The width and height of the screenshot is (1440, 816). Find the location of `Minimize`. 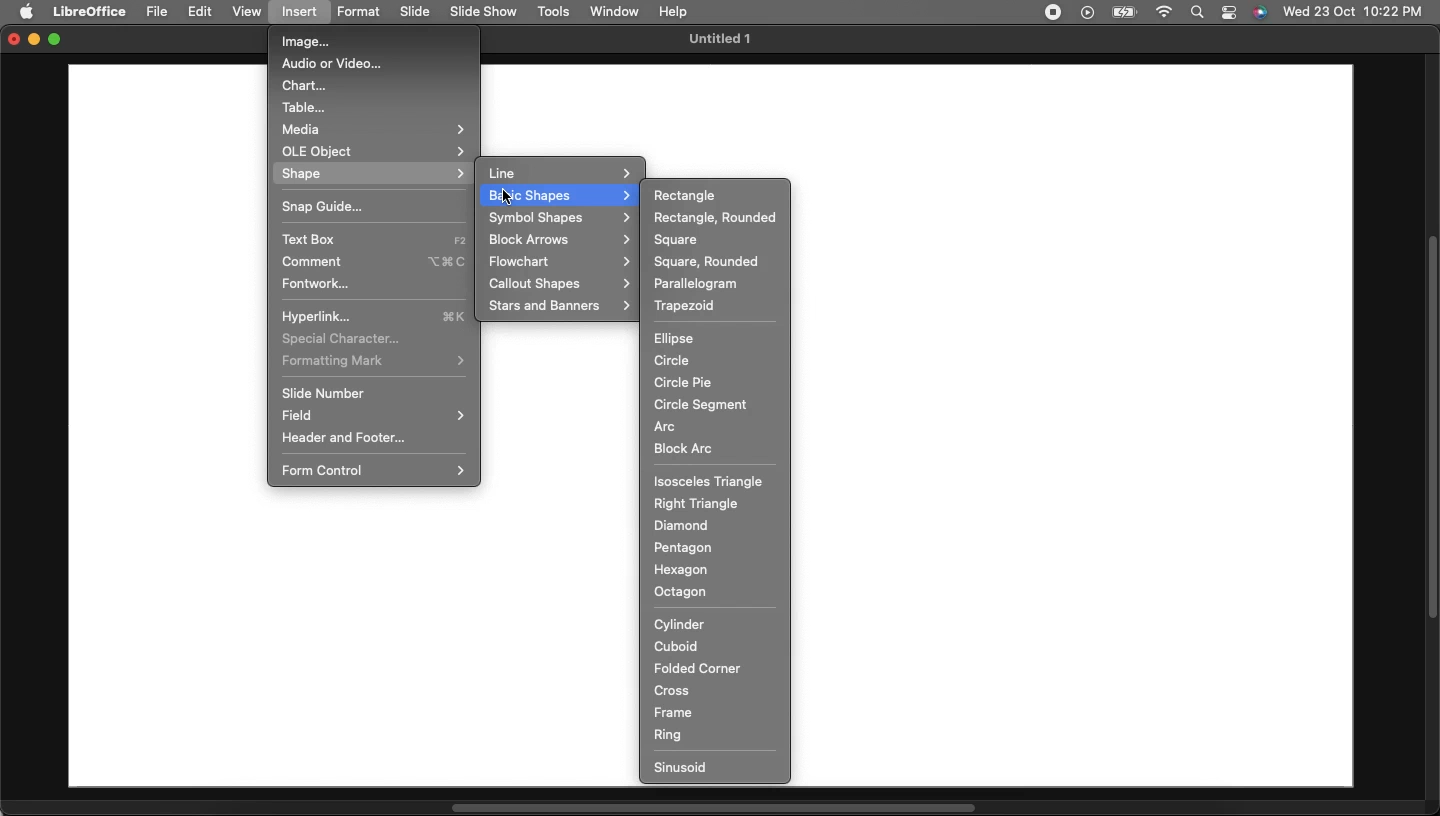

Minimize is located at coordinates (35, 41).